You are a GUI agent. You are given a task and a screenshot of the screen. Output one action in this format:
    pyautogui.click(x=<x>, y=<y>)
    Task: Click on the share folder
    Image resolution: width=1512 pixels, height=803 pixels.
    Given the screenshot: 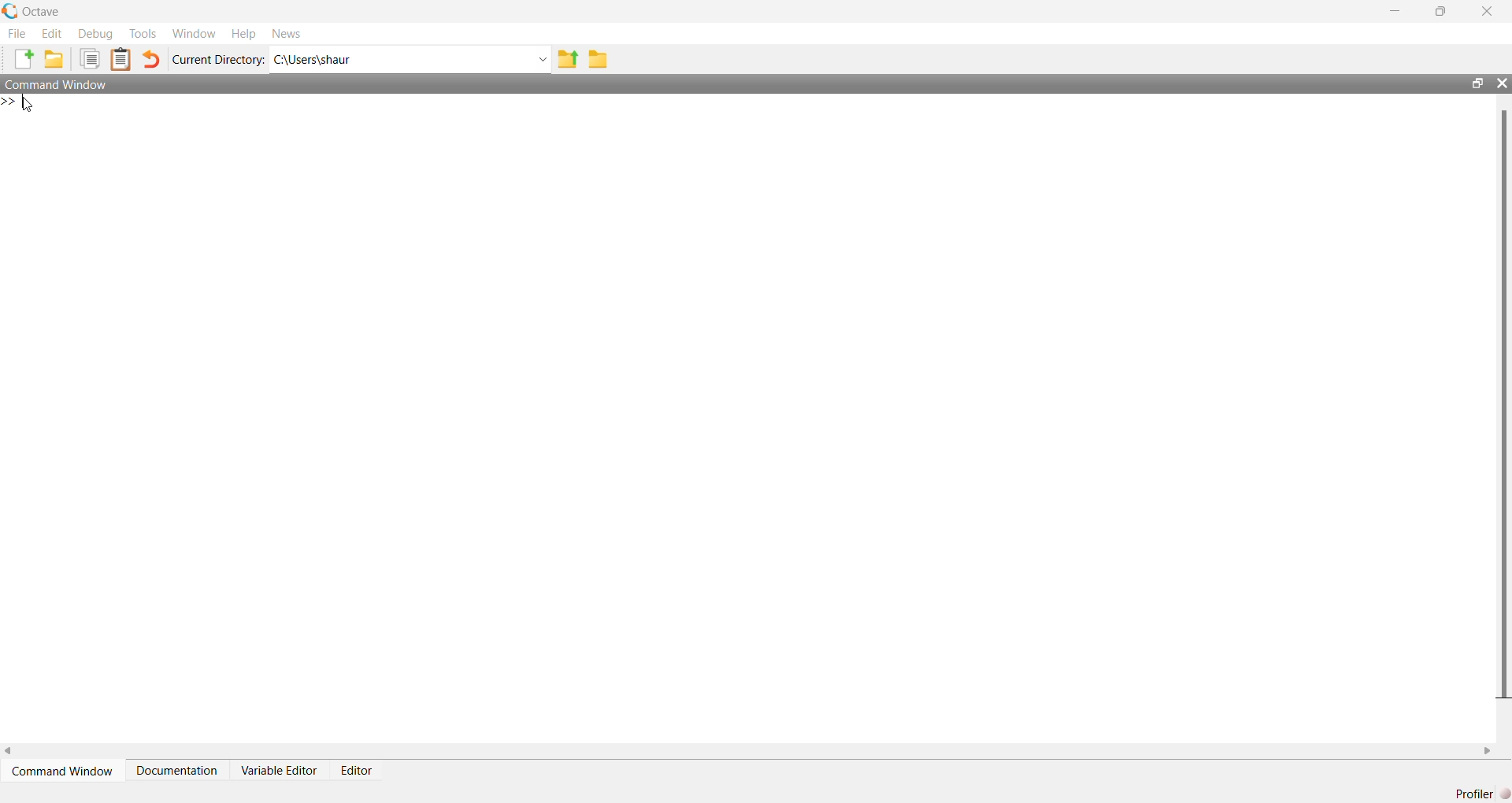 What is the action you would take?
    pyautogui.click(x=567, y=59)
    